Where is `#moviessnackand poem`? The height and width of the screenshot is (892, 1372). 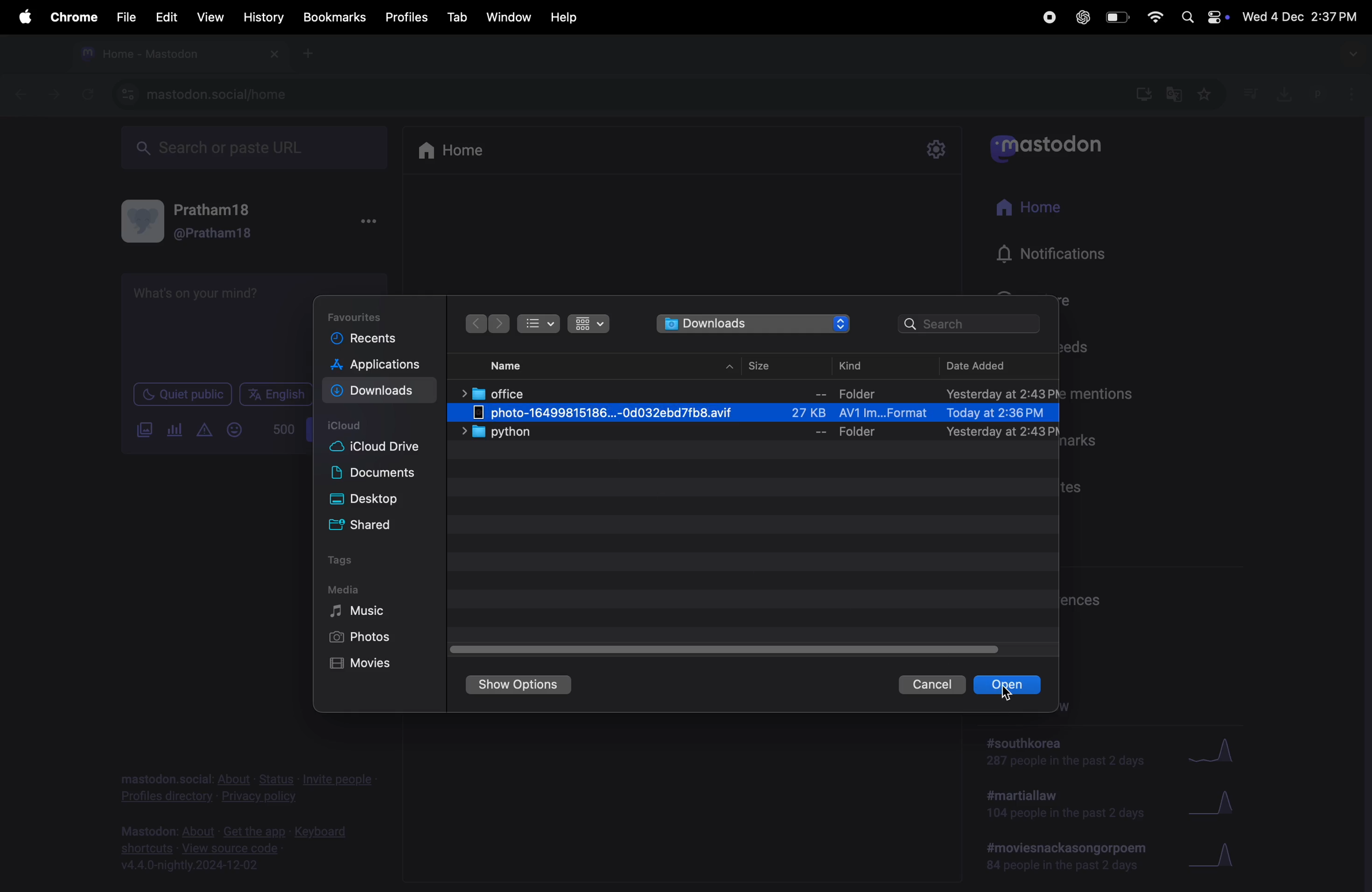
#moviessnackand poem is located at coordinates (1071, 855).